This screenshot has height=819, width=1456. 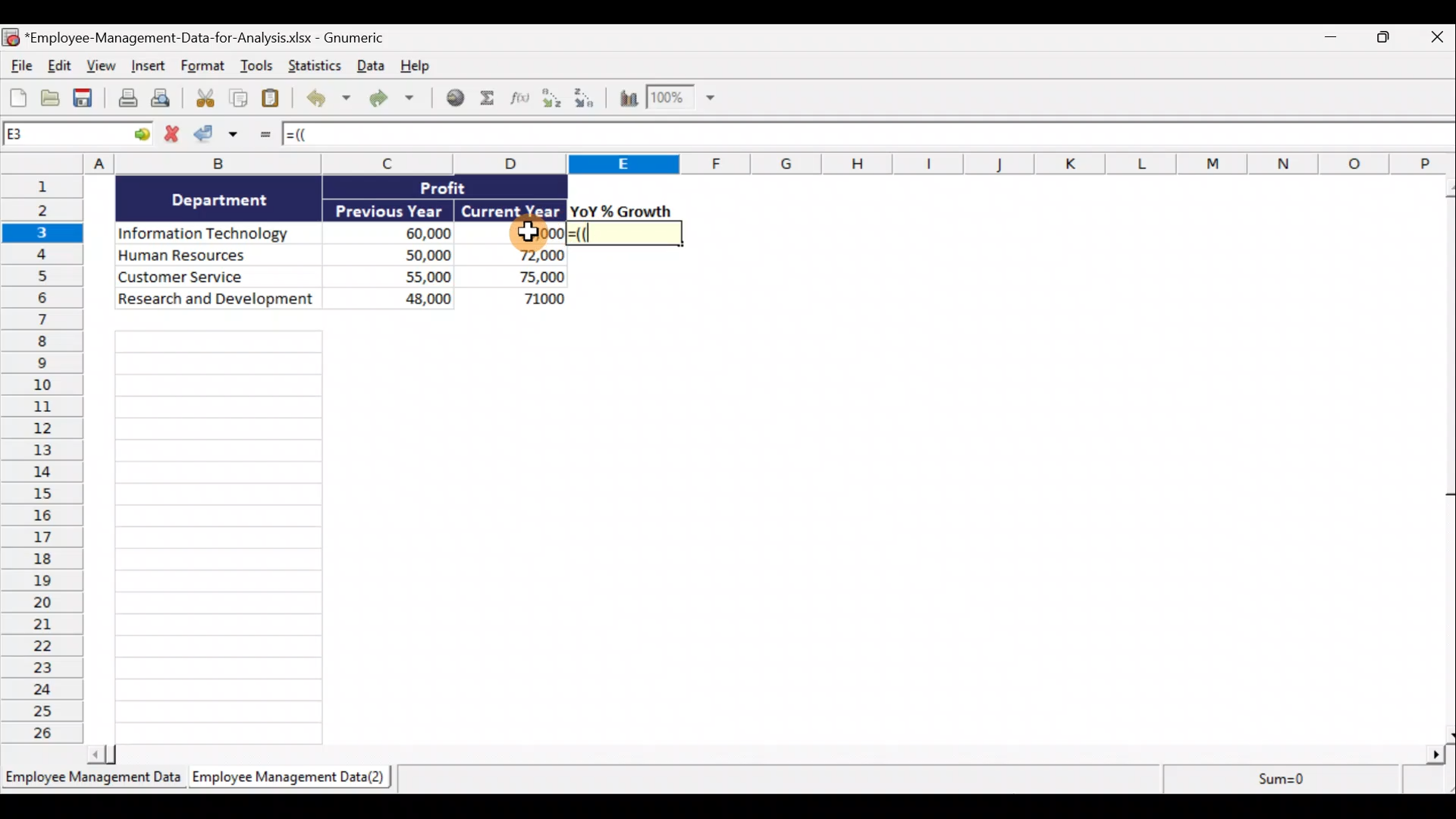 What do you see at coordinates (728, 164) in the screenshot?
I see `Columns` at bounding box center [728, 164].